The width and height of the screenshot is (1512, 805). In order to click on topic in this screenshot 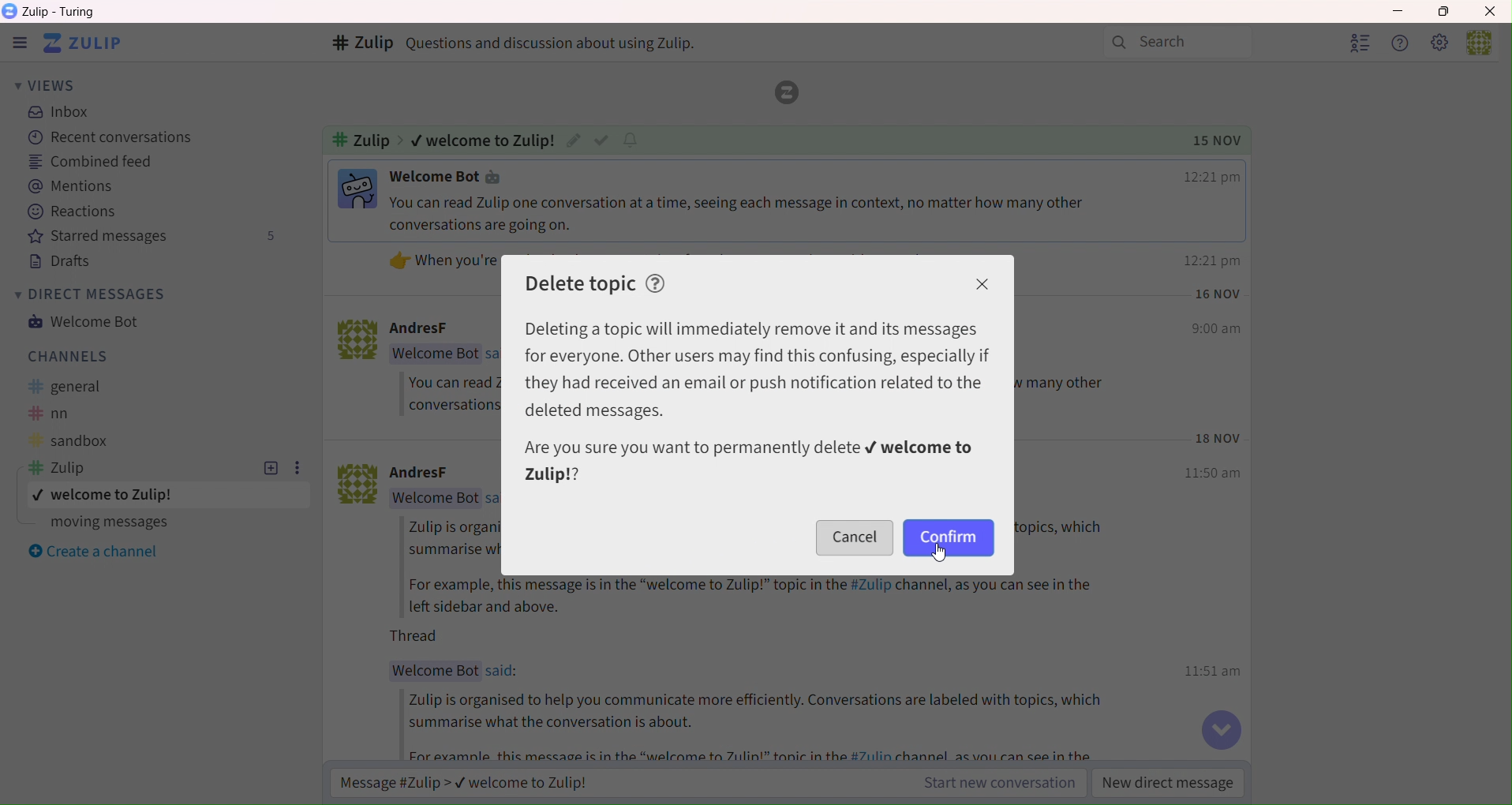, I will do `click(119, 495)`.